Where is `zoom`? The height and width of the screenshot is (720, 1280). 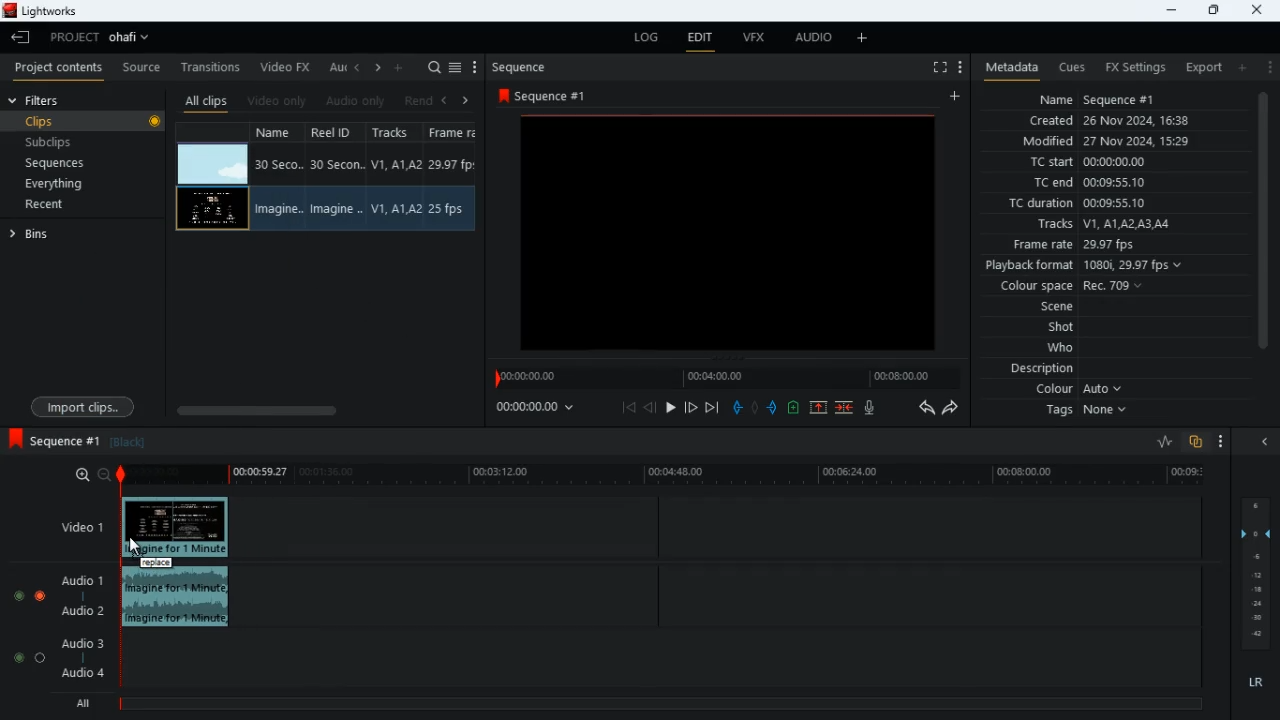
zoom is located at coordinates (85, 475).